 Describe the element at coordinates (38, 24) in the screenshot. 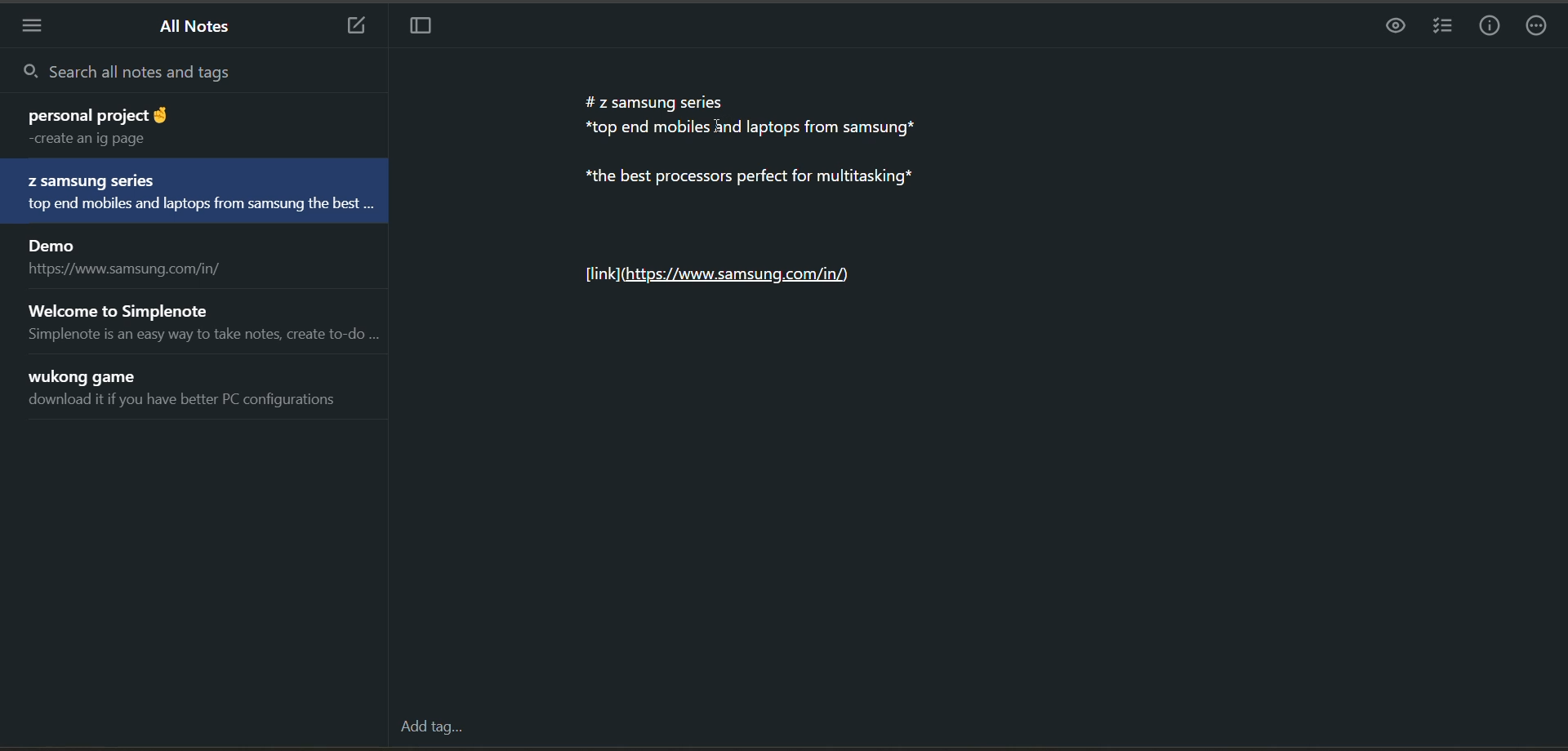

I see `menu` at that location.